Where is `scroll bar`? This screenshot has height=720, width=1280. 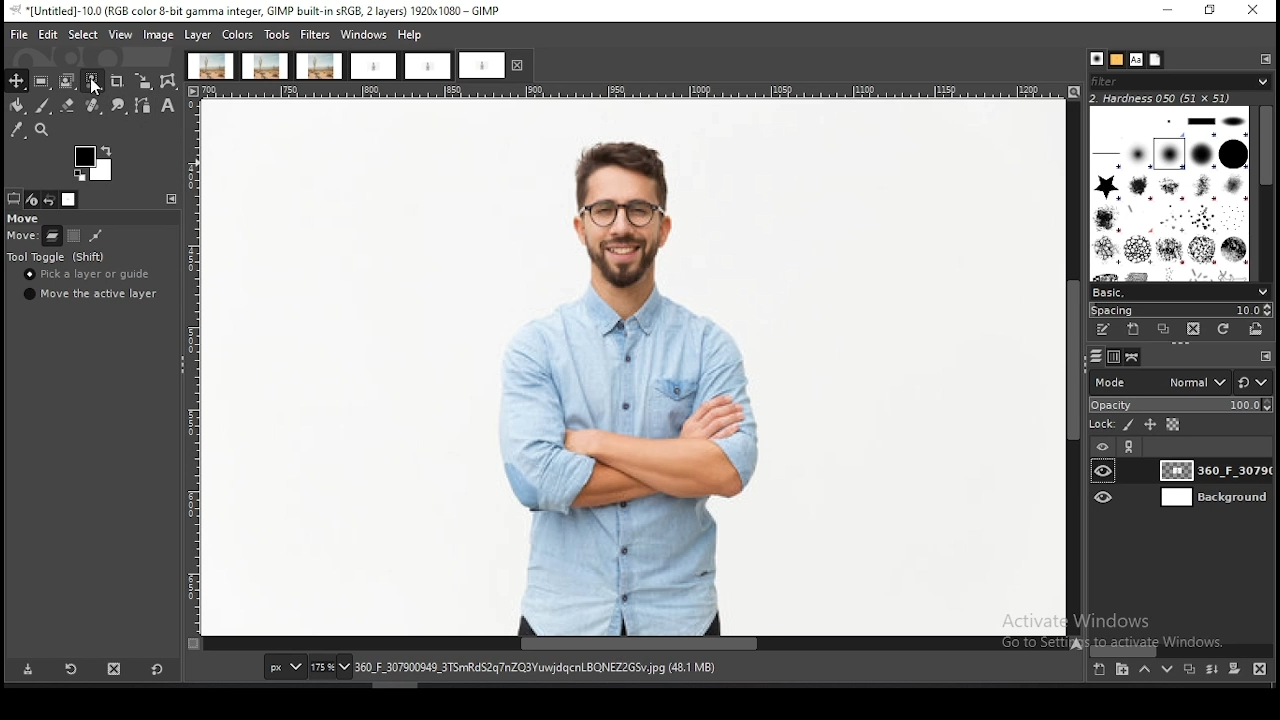
scroll bar is located at coordinates (1264, 194).